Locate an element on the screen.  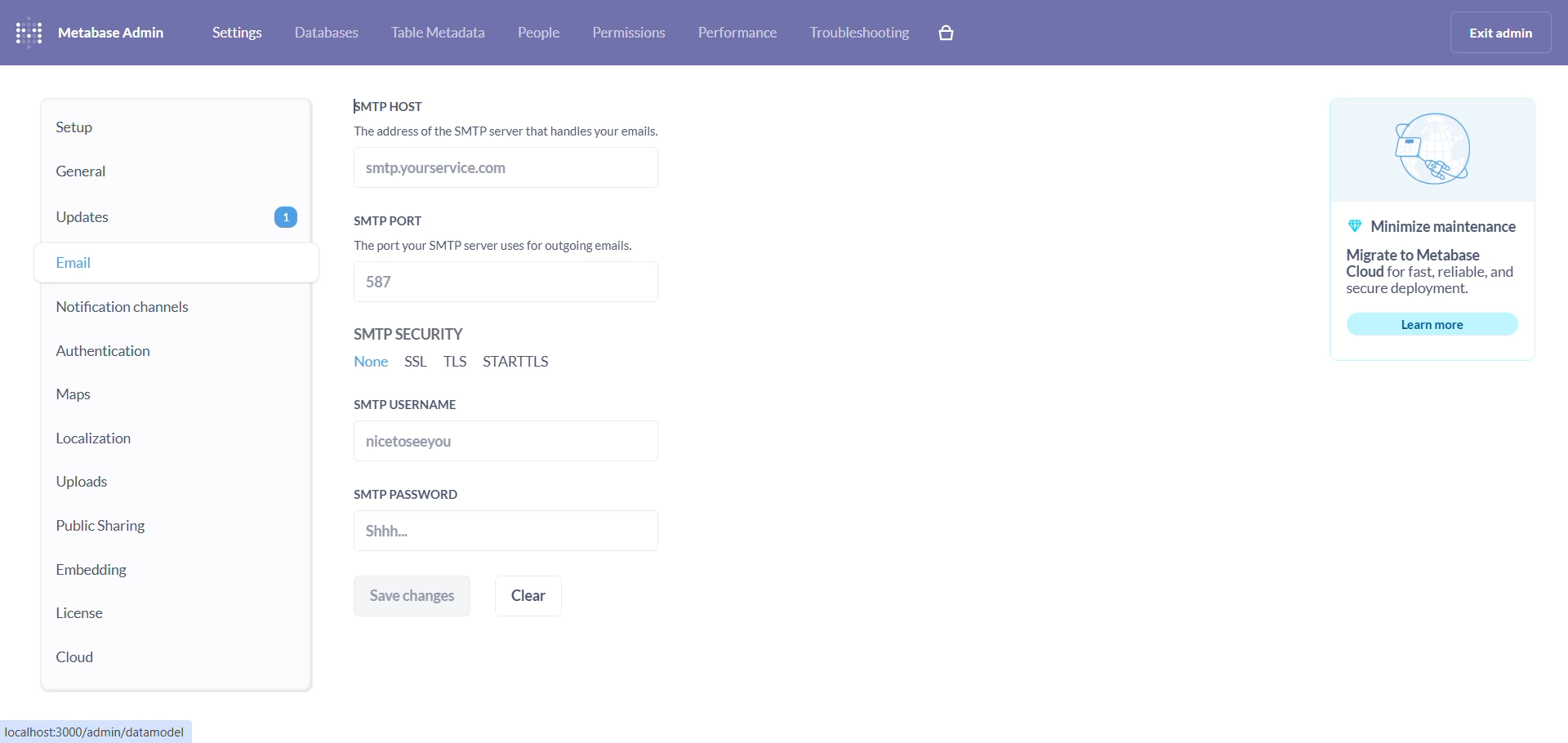
enter smtp server URL is located at coordinates (550, 172).